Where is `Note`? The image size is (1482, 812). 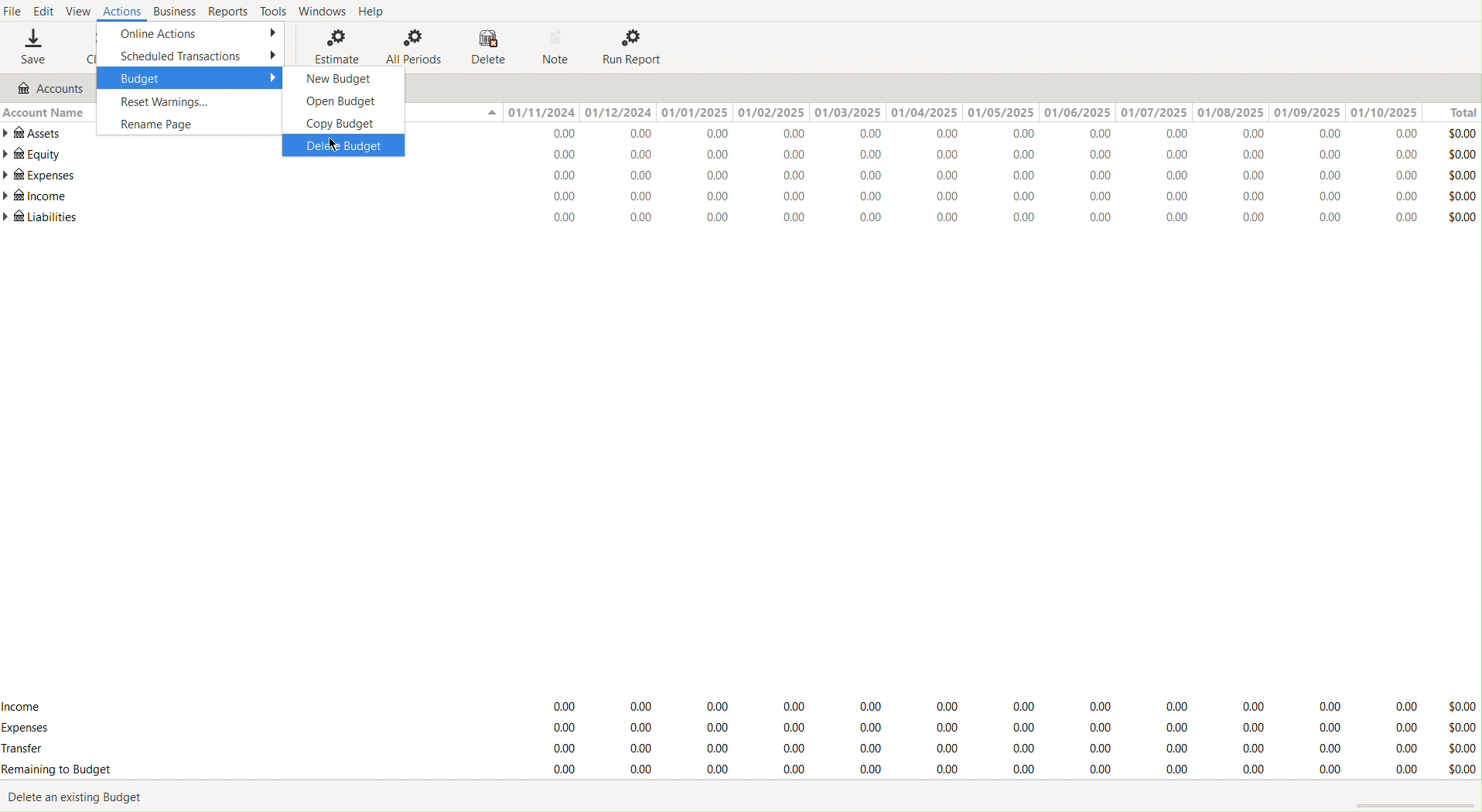 Note is located at coordinates (559, 47).